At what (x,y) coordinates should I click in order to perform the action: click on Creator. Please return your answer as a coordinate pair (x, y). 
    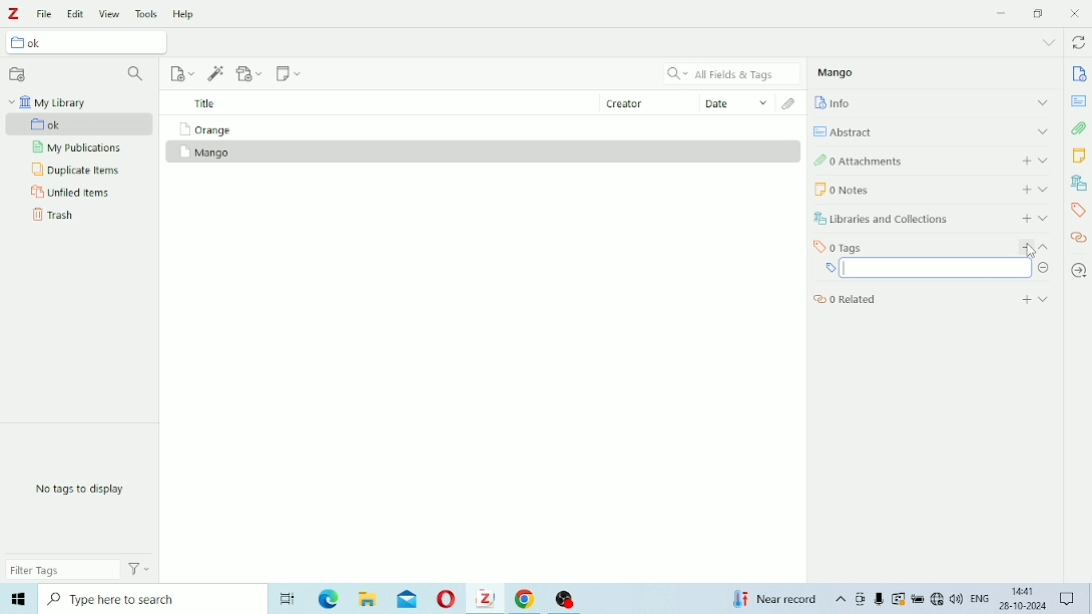
    Looking at the image, I should click on (649, 101).